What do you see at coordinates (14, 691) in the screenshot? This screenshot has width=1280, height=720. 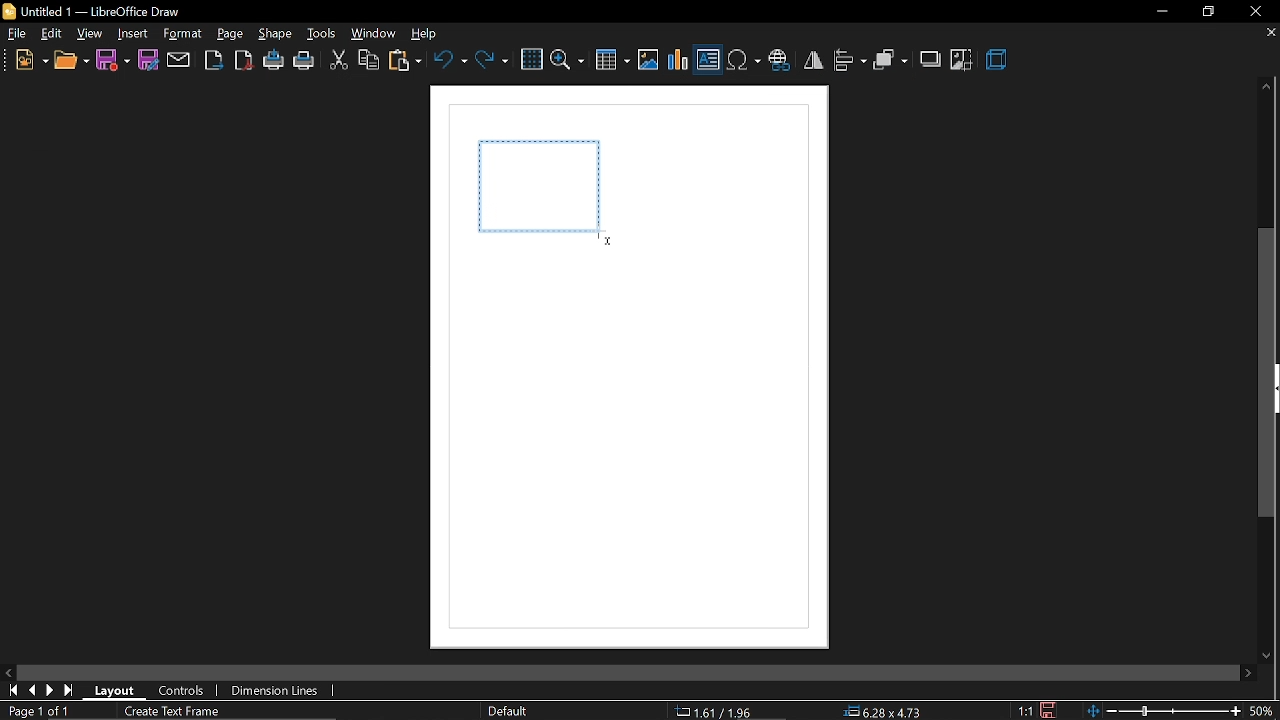 I see `go to first page` at bounding box center [14, 691].